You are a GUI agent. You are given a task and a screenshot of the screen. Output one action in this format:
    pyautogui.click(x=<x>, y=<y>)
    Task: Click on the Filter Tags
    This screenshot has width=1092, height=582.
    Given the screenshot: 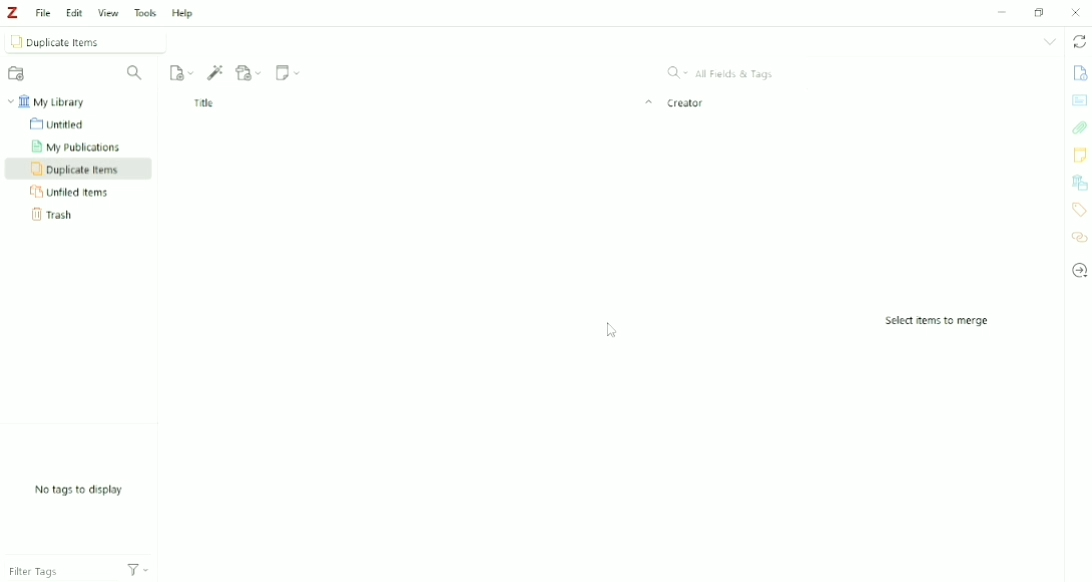 What is the action you would take?
    pyautogui.click(x=53, y=568)
    